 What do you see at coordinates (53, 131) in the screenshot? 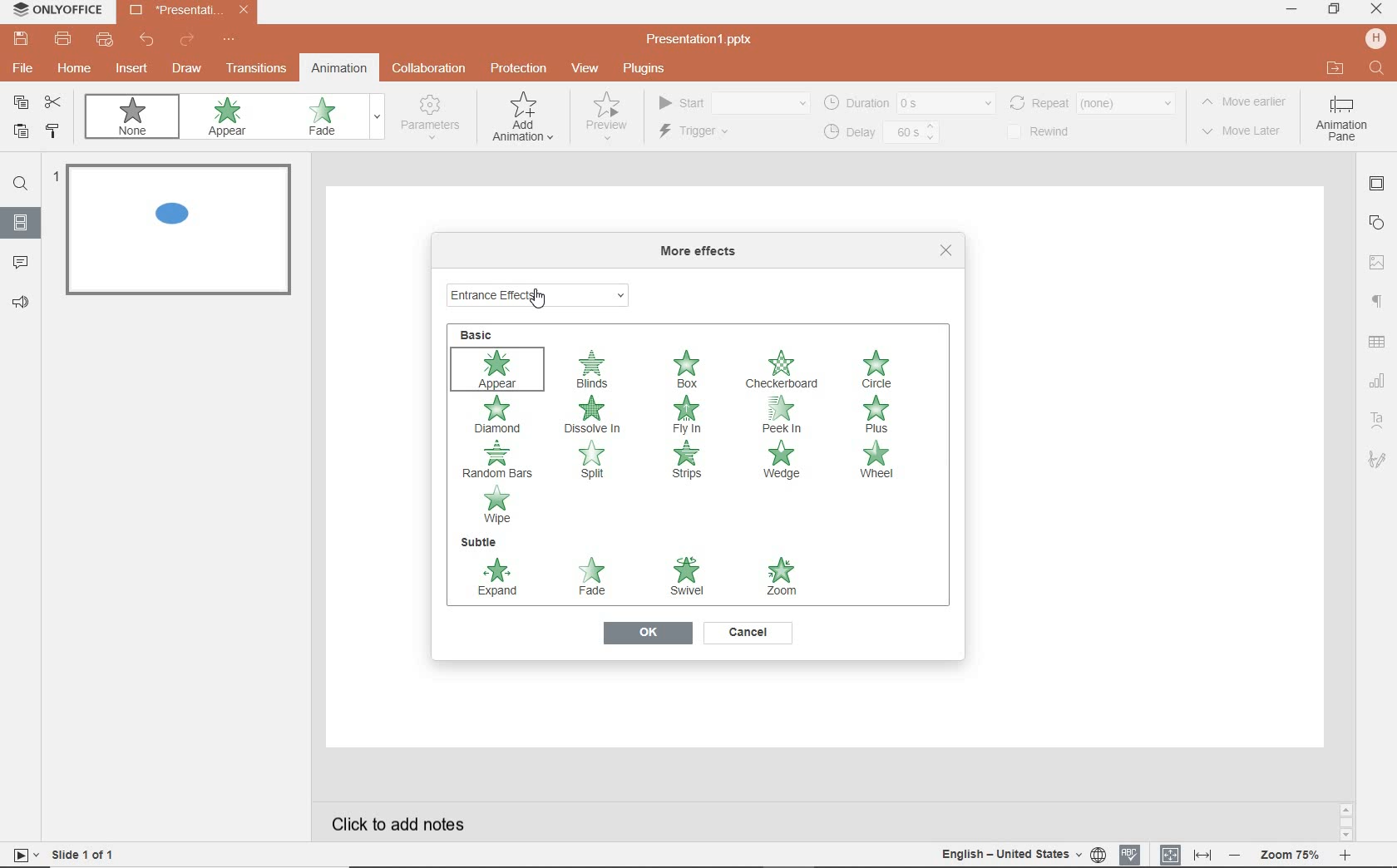
I see `COPY STYLE` at bounding box center [53, 131].